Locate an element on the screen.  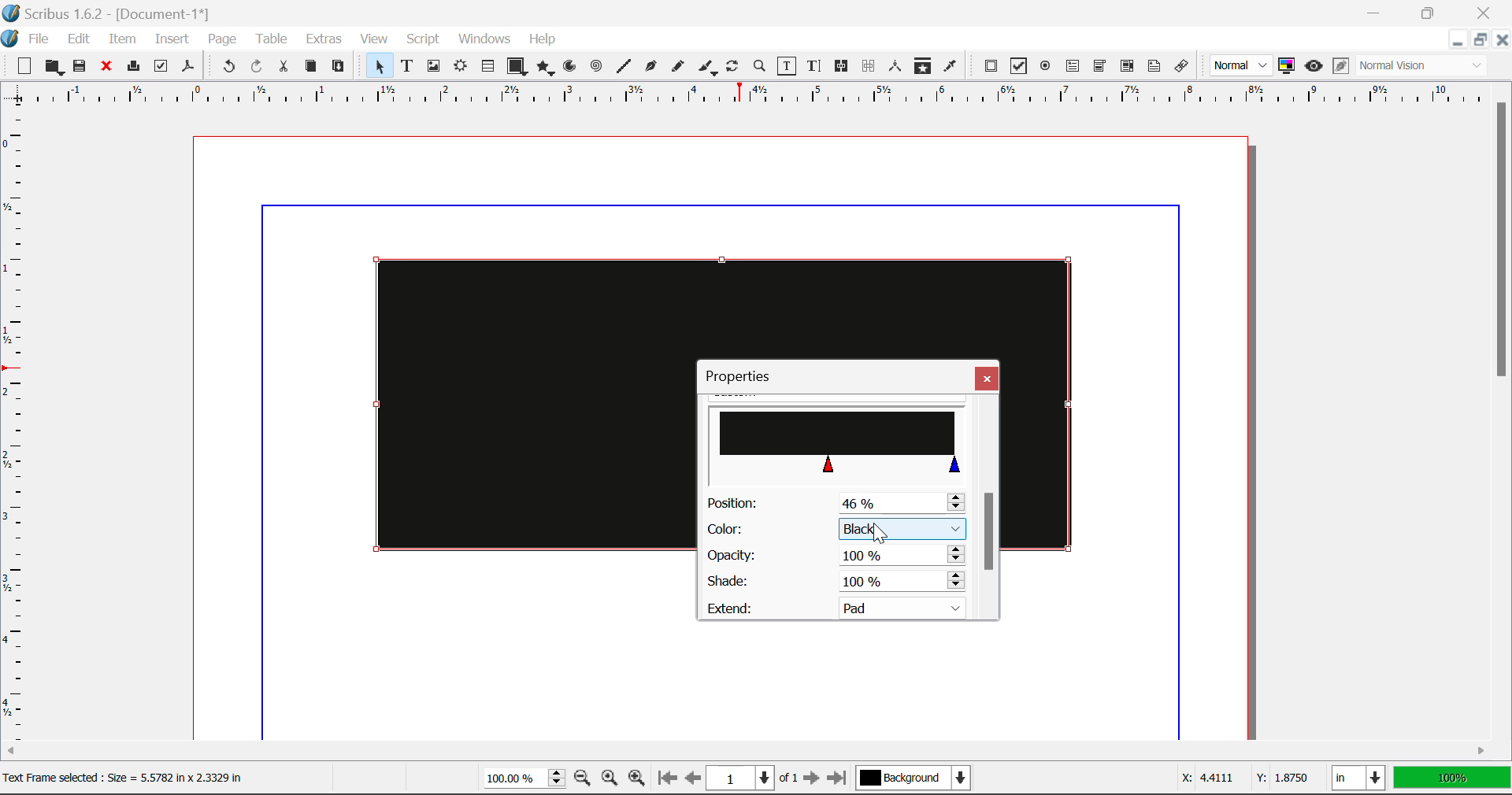
Table is located at coordinates (270, 40).